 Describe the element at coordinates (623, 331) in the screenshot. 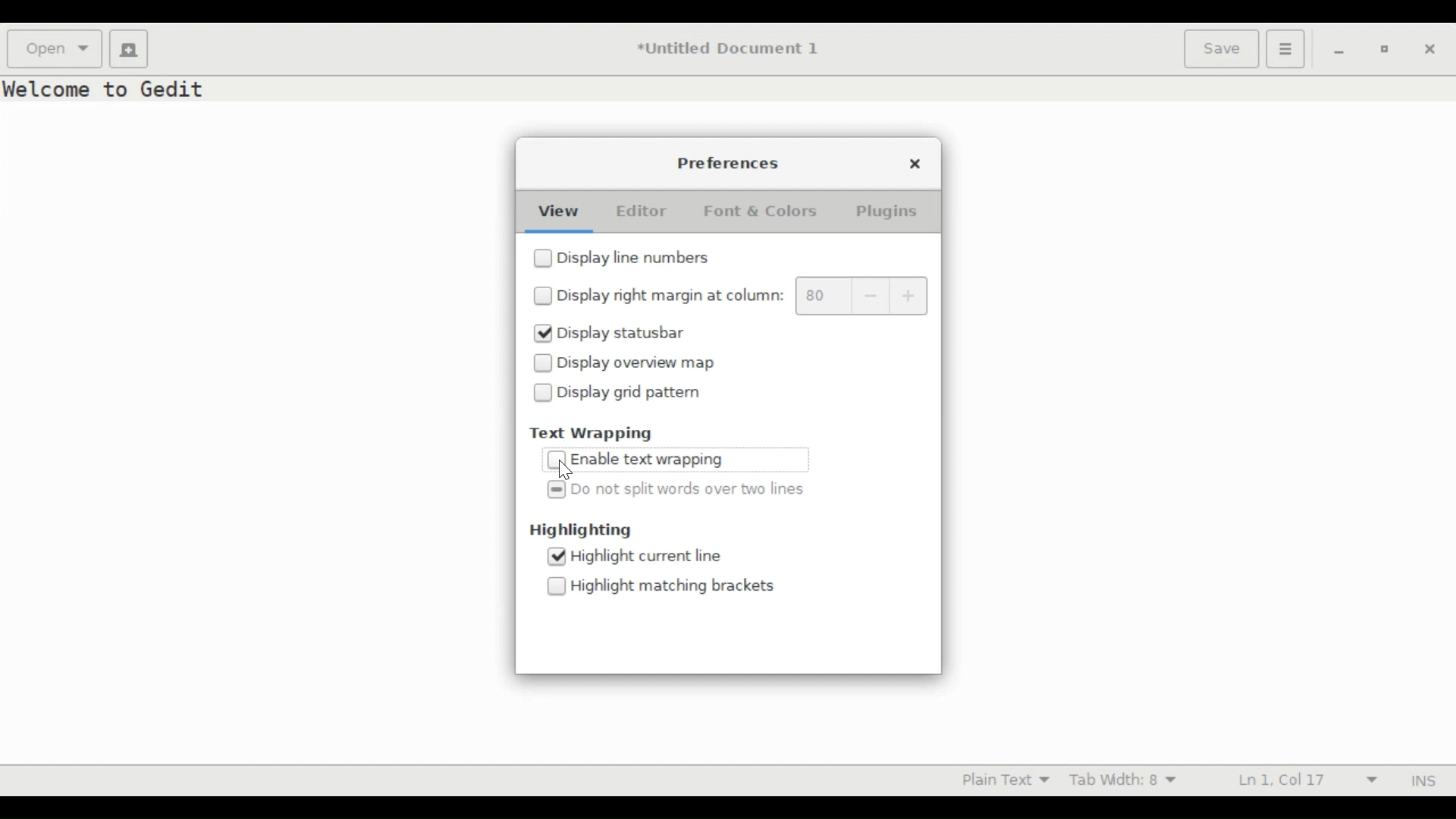

I see `Display statusbar` at that location.